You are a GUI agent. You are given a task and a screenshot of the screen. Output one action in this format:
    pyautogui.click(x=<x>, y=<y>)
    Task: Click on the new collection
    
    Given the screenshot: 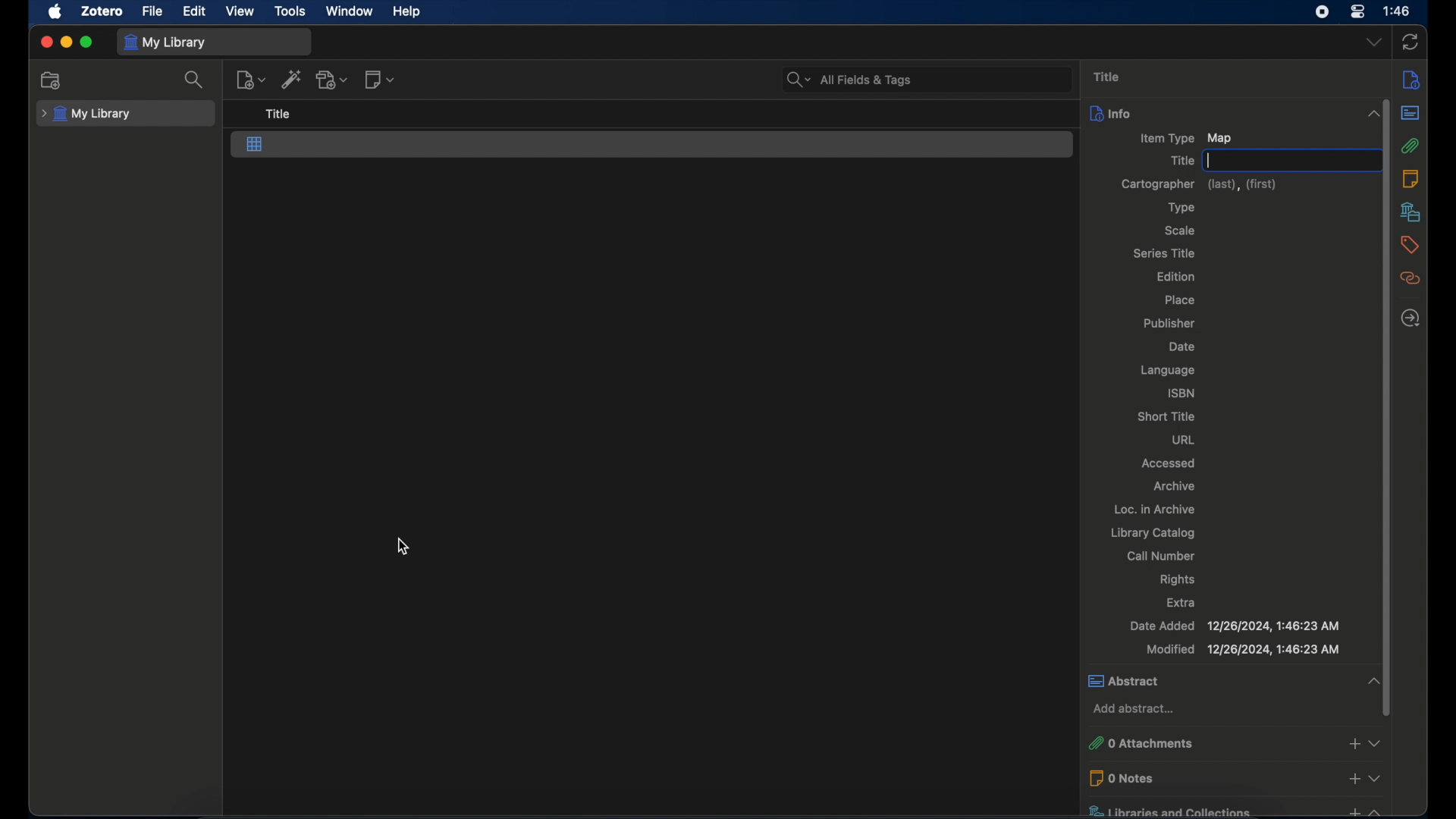 What is the action you would take?
    pyautogui.click(x=53, y=80)
    